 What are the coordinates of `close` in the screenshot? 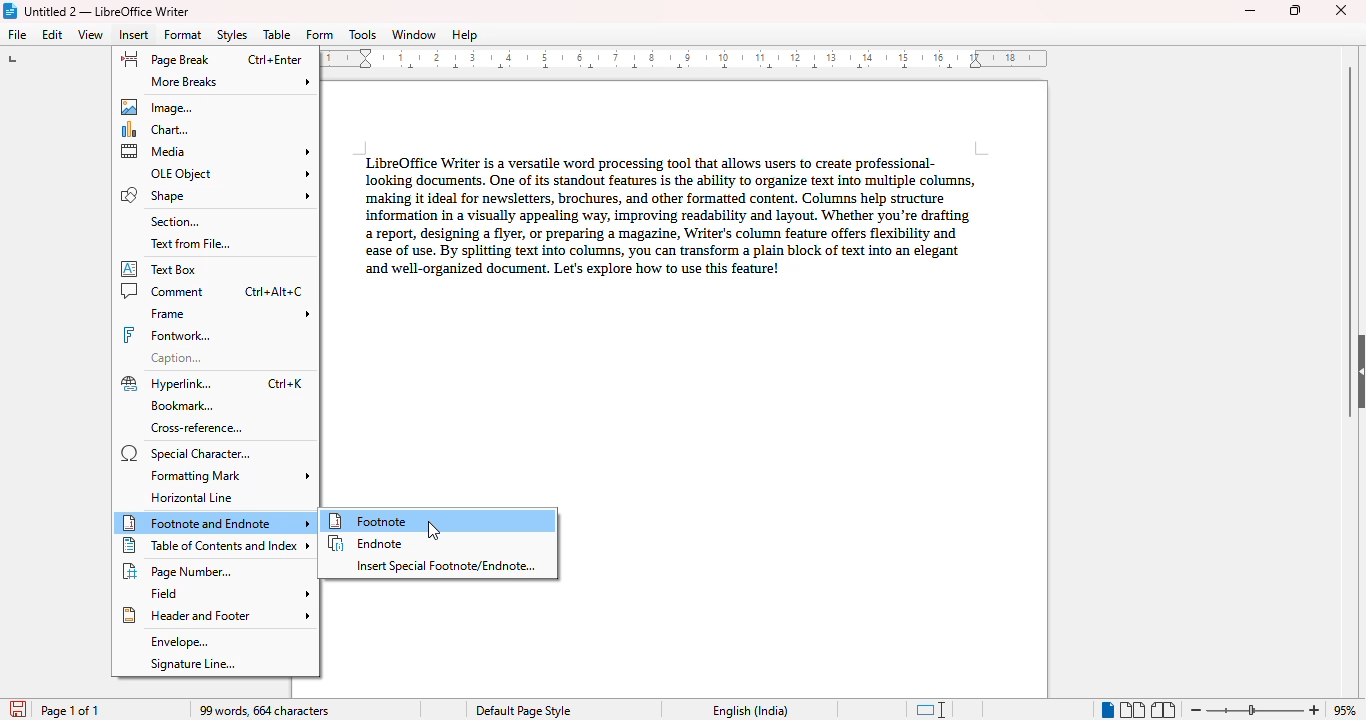 It's located at (1343, 9).